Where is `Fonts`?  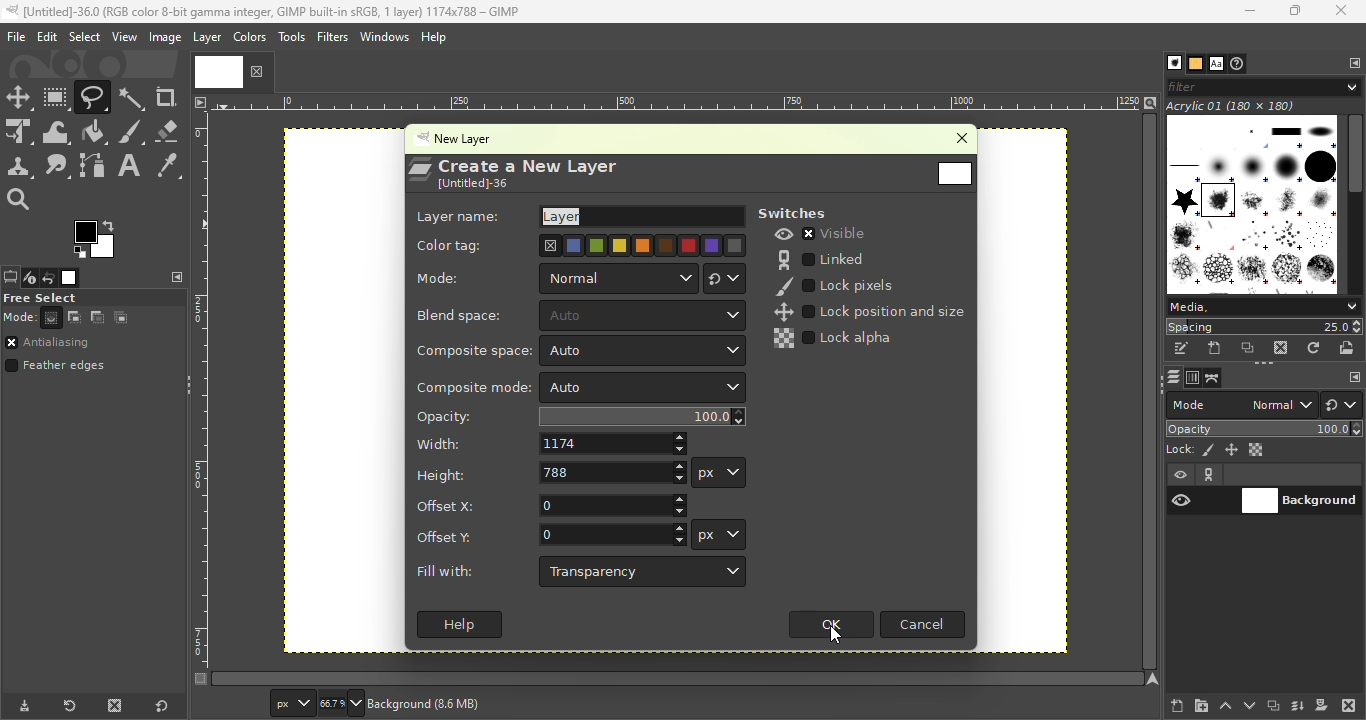
Fonts is located at coordinates (1216, 61).